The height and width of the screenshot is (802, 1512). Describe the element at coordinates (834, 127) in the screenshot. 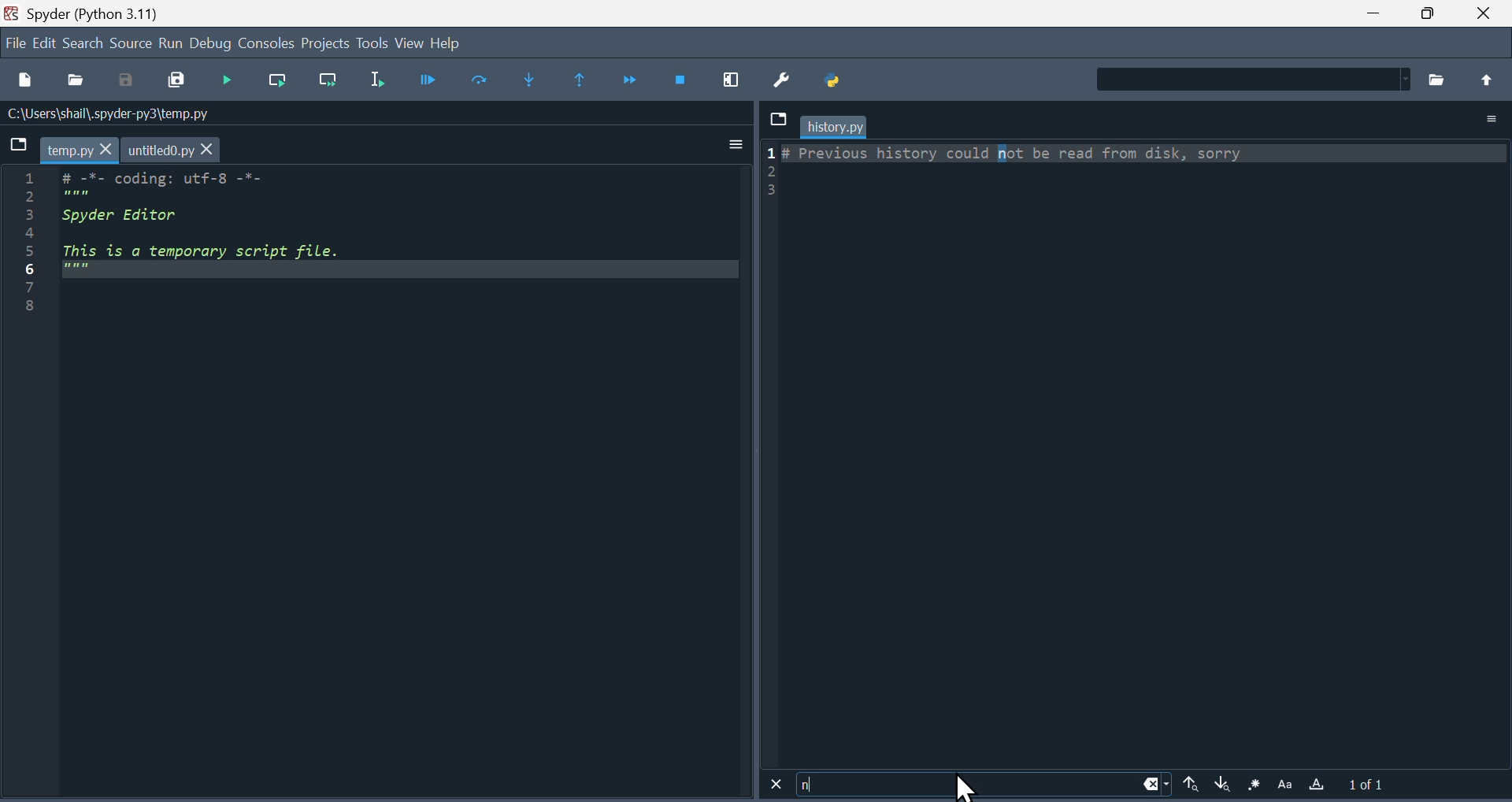

I see `history.py` at that location.